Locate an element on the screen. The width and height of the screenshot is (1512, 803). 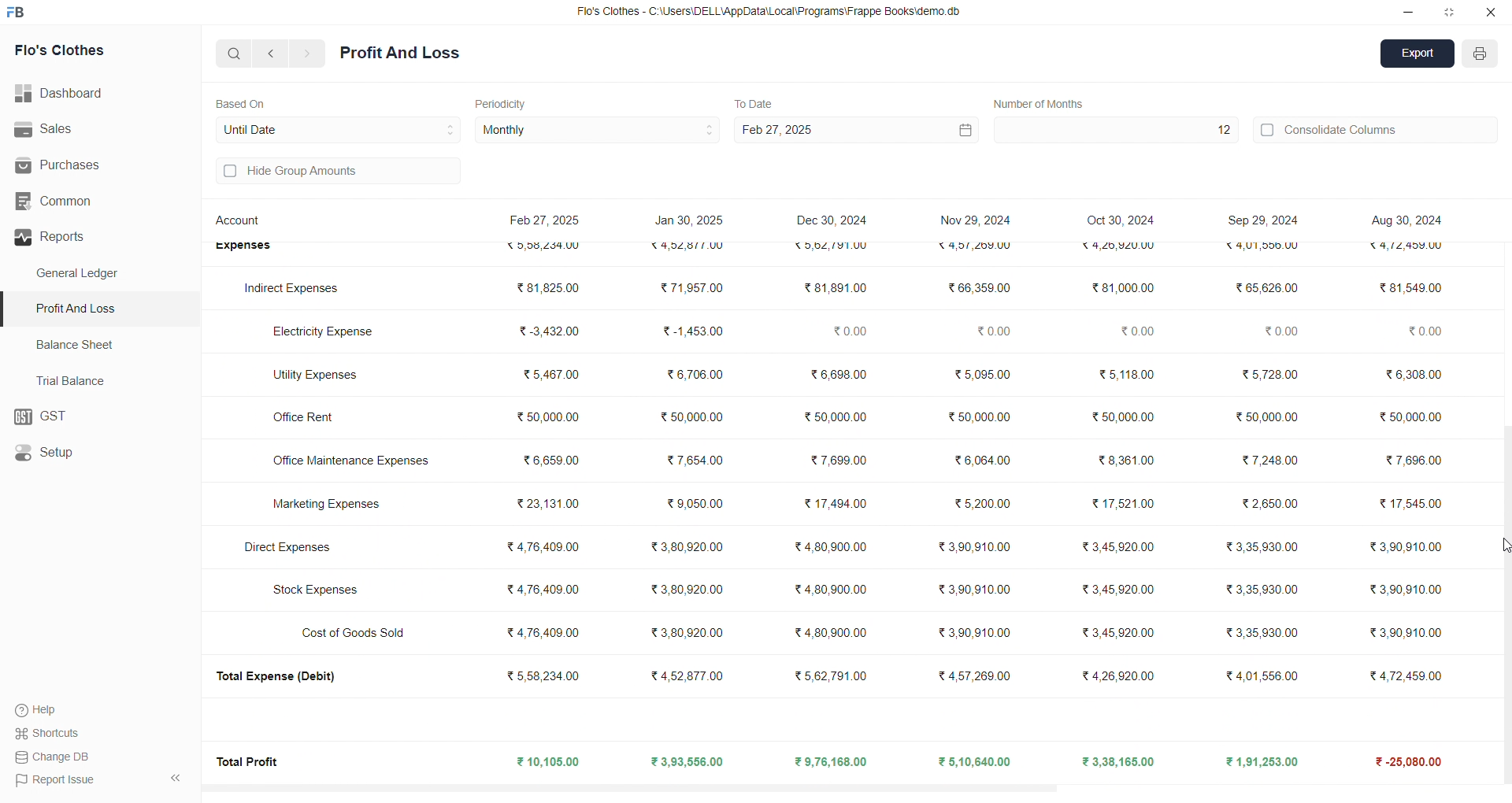
Purchases is located at coordinates (76, 165).